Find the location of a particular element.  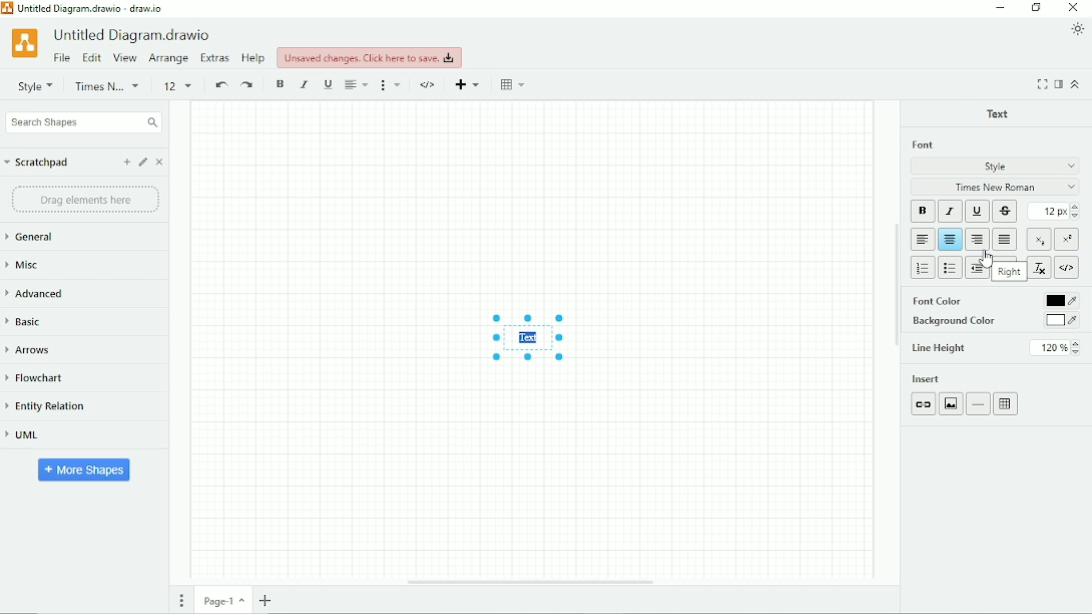

Logo is located at coordinates (25, 43).